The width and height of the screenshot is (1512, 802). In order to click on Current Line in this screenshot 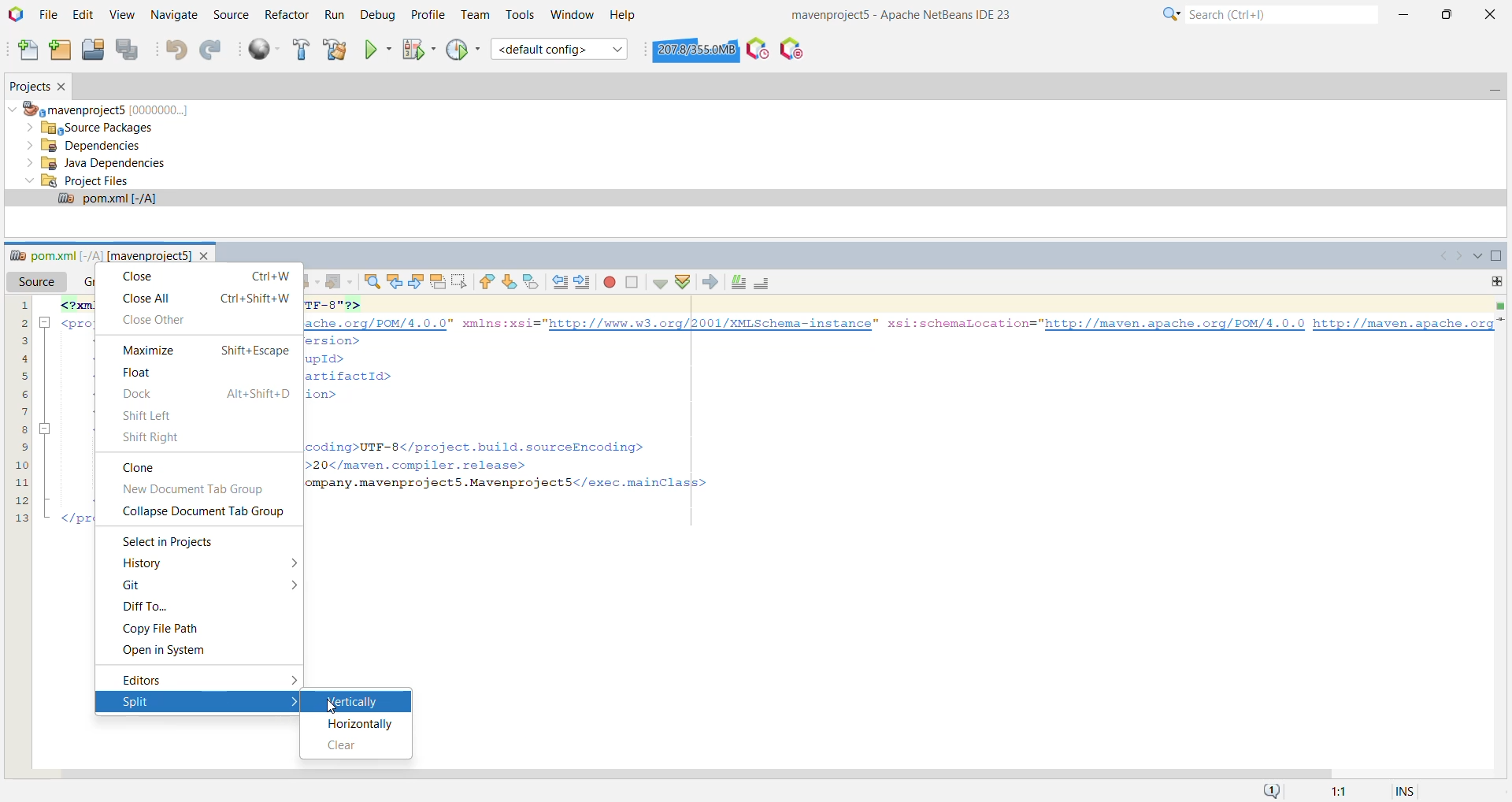, I will do `click(1503, 320)`.